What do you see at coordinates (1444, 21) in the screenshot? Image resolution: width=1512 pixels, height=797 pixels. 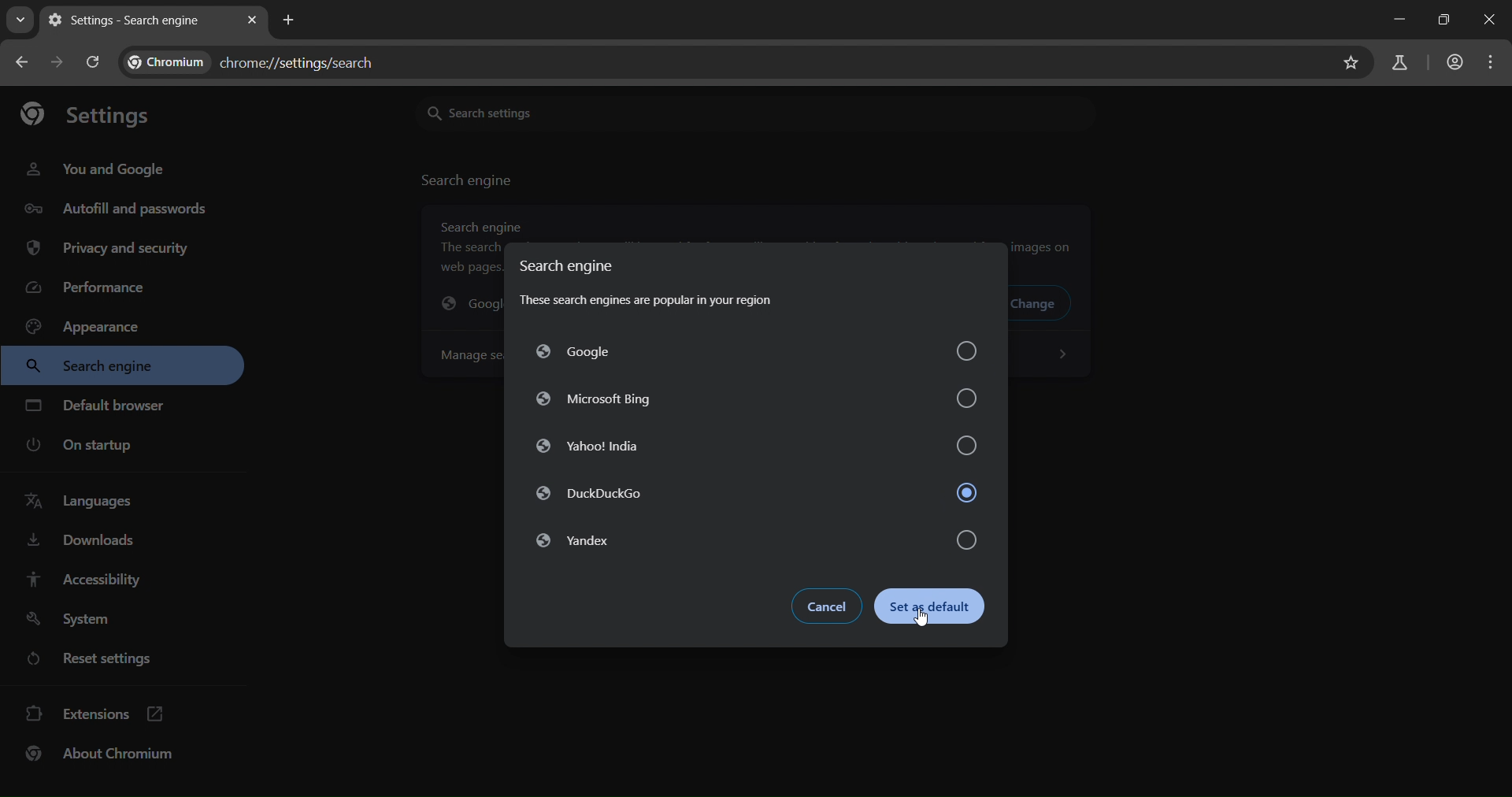 I see `restore down` at bounding box center [1444, 21].